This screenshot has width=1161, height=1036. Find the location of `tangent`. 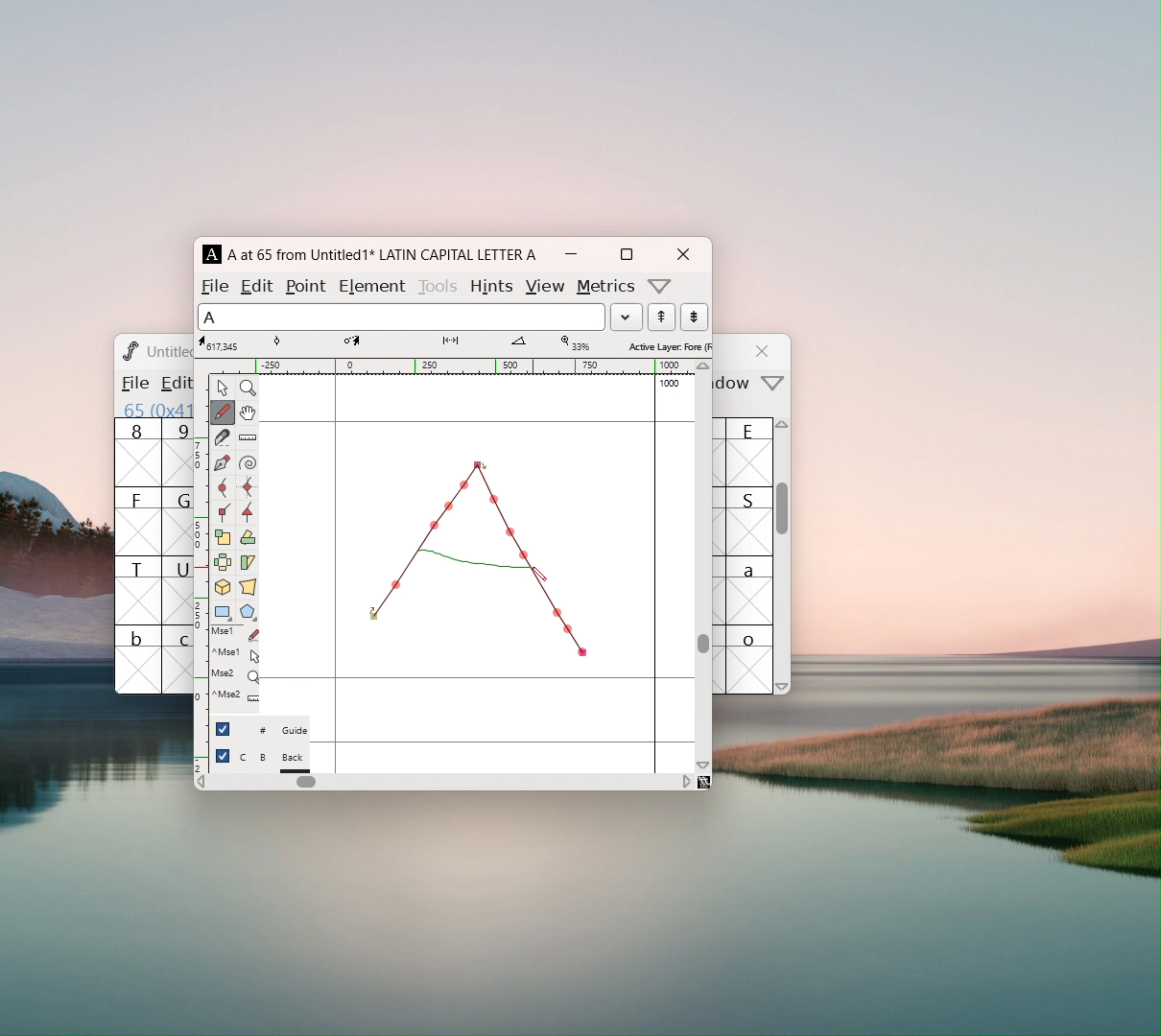

tangent is located at coordinates (296, 342).